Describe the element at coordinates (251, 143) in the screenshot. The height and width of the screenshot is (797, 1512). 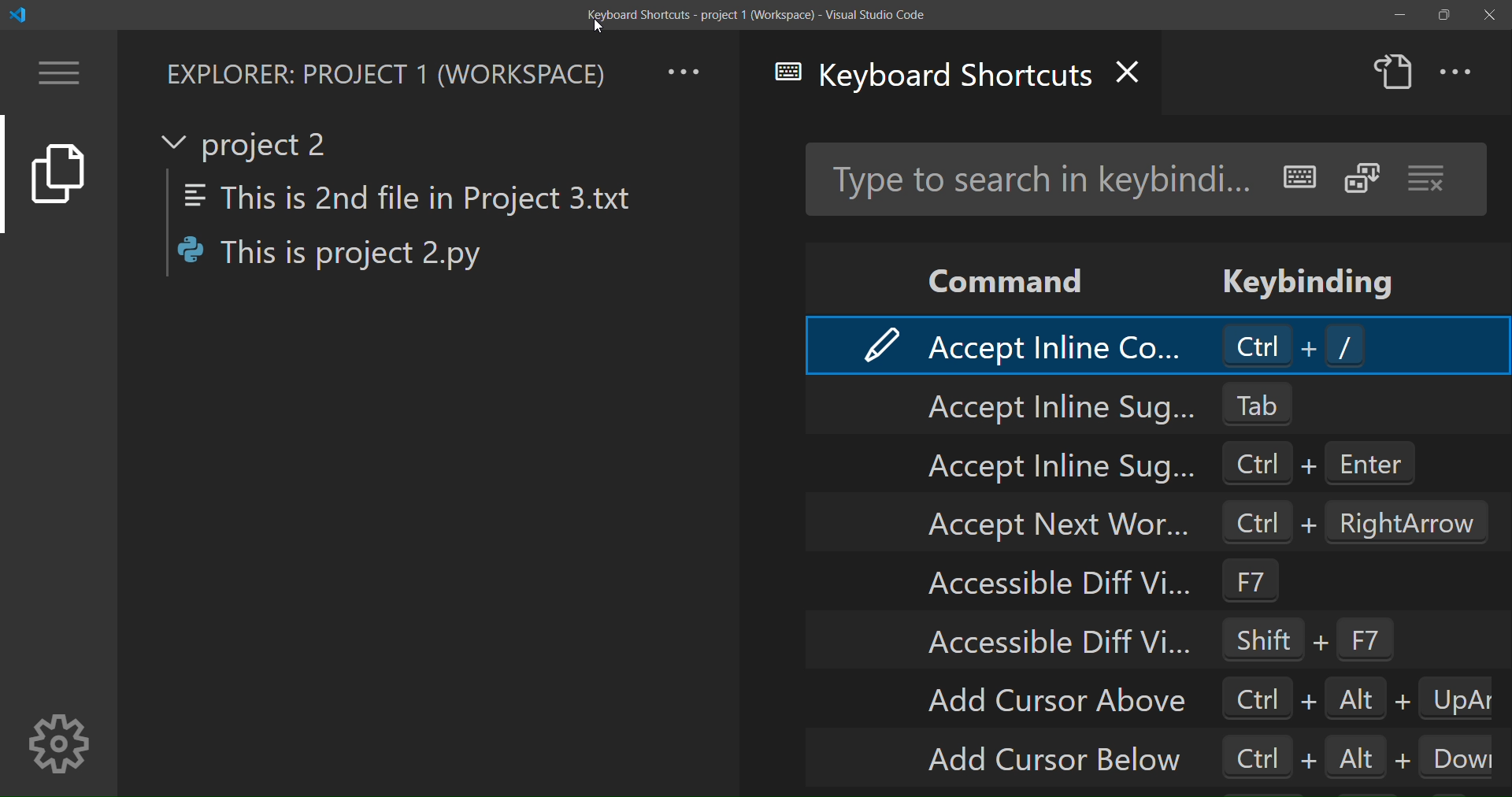
I see `current project` at that location.